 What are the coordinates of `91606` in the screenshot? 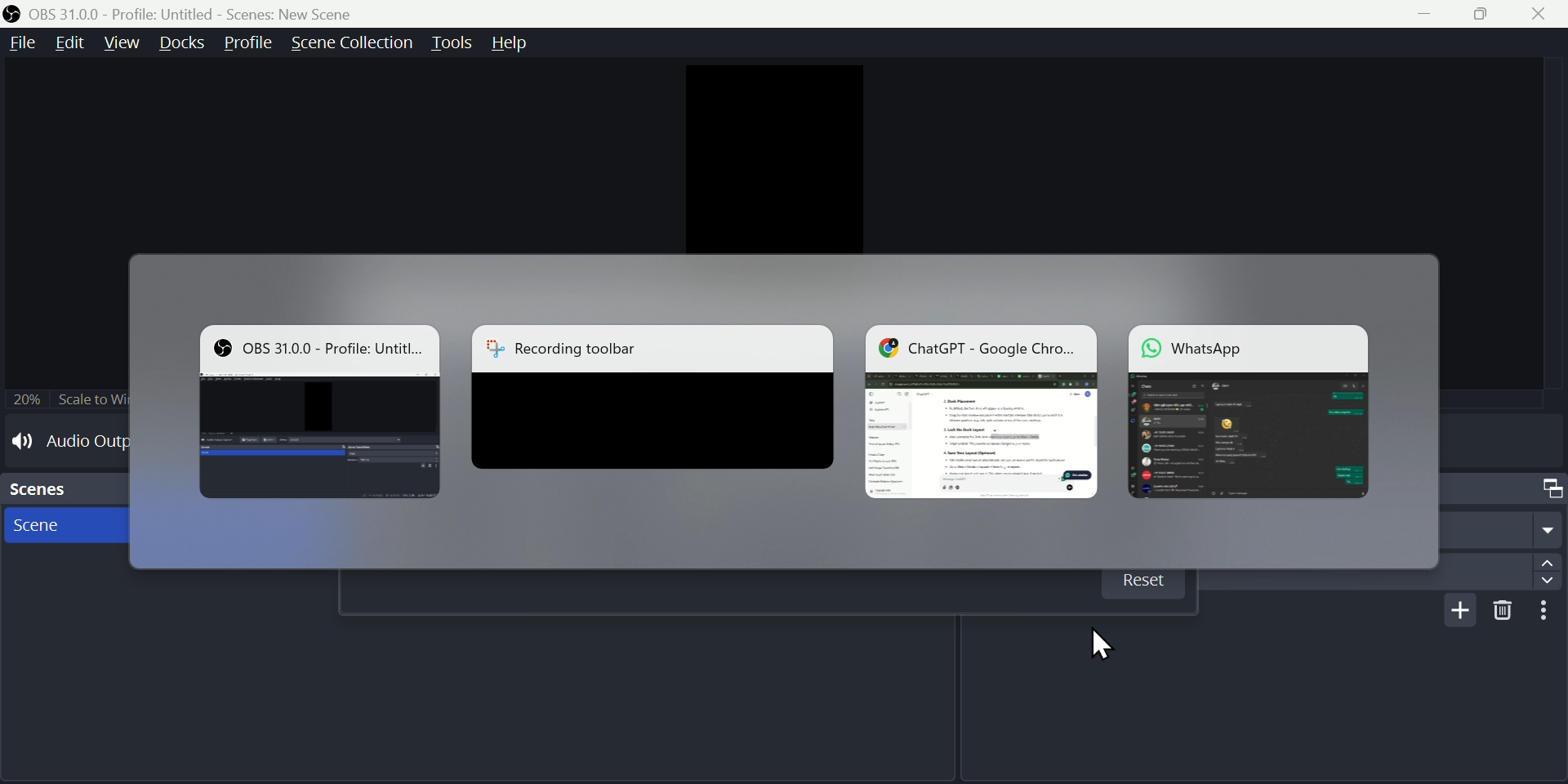 It's located at (189, 43).